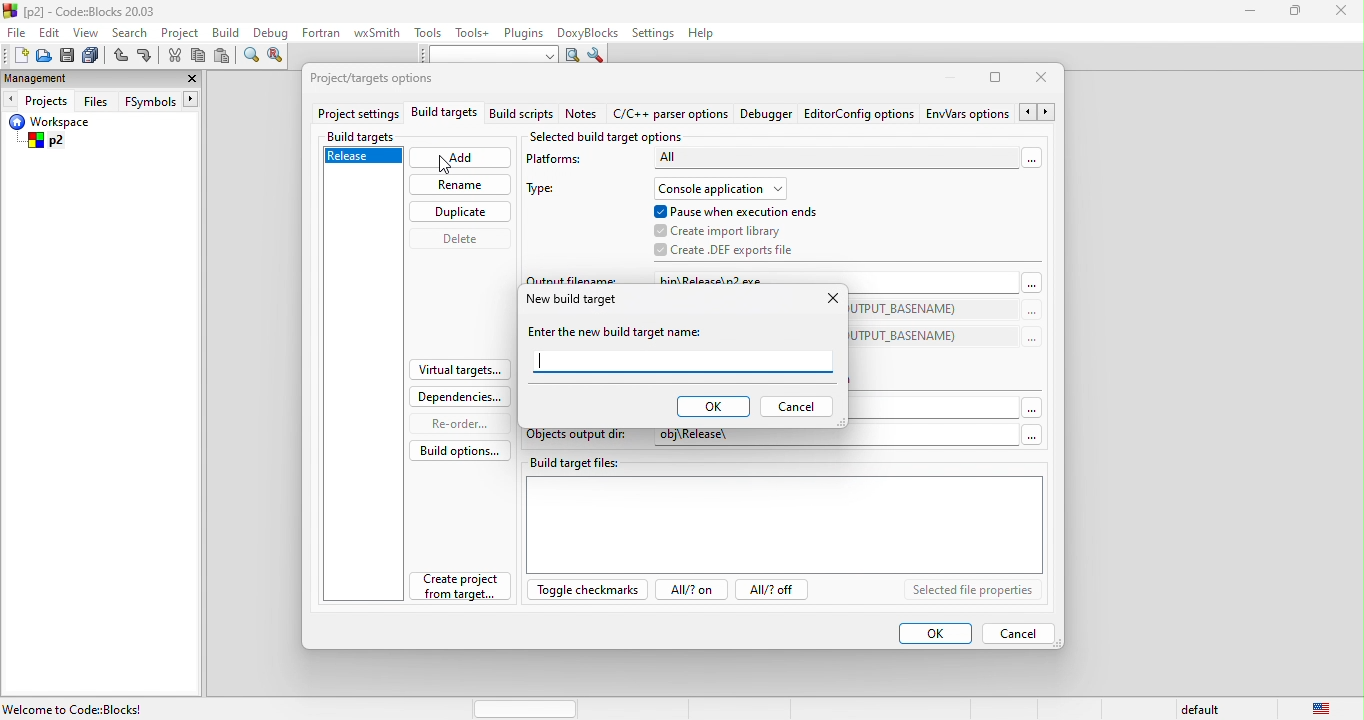 This screenshot has width=1364, height=720. What do you see at coordinates (120, 57) in the screenshot?
I see `undo` at bounding box center [120, 57].